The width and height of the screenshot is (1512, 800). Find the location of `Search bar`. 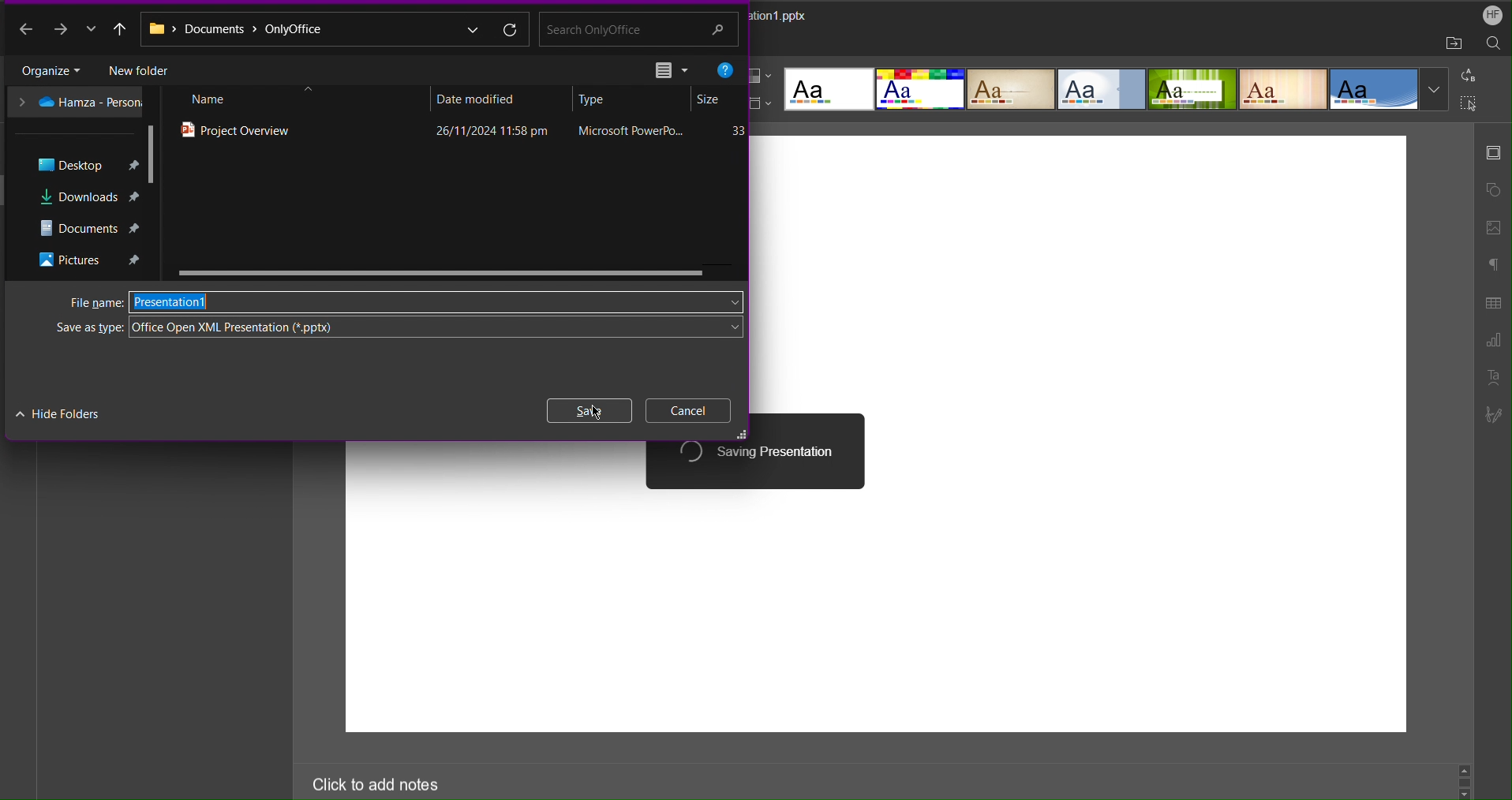

Search bar is located at coordinates (638, 28).